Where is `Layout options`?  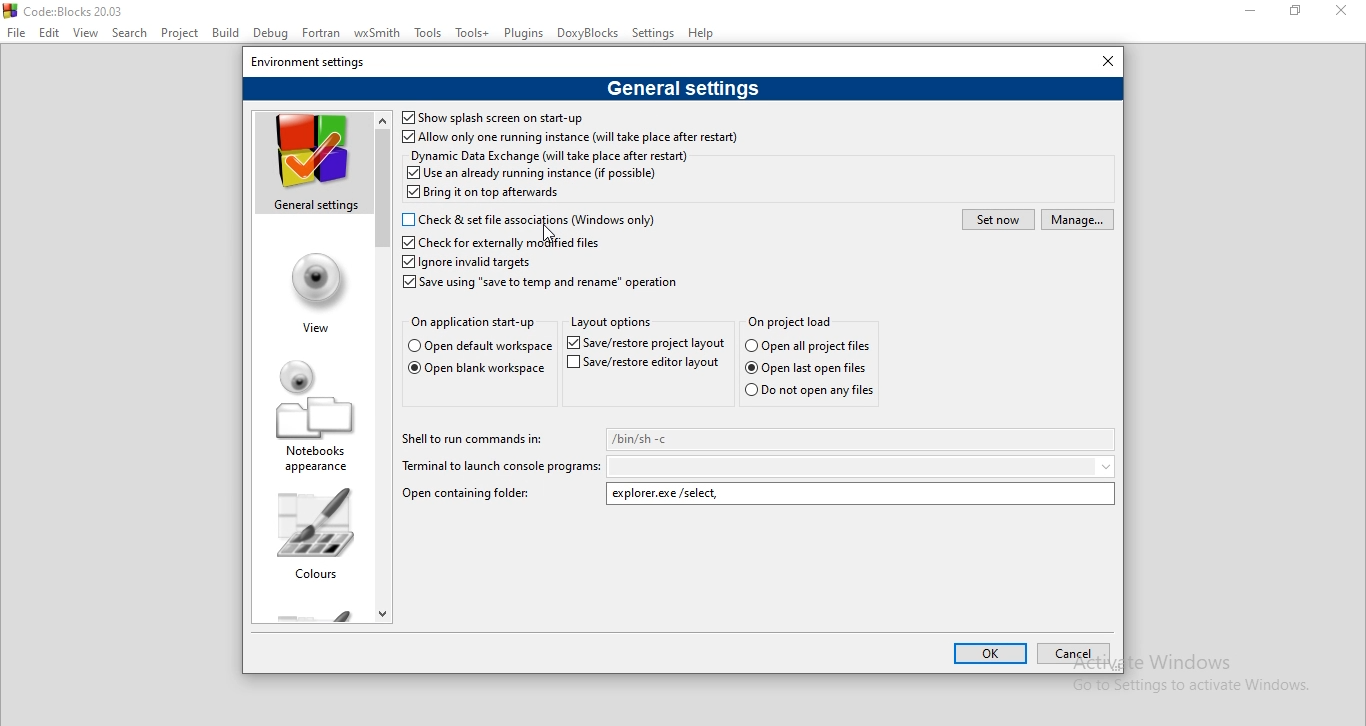
Layout options is located at coordinates (616, 324).